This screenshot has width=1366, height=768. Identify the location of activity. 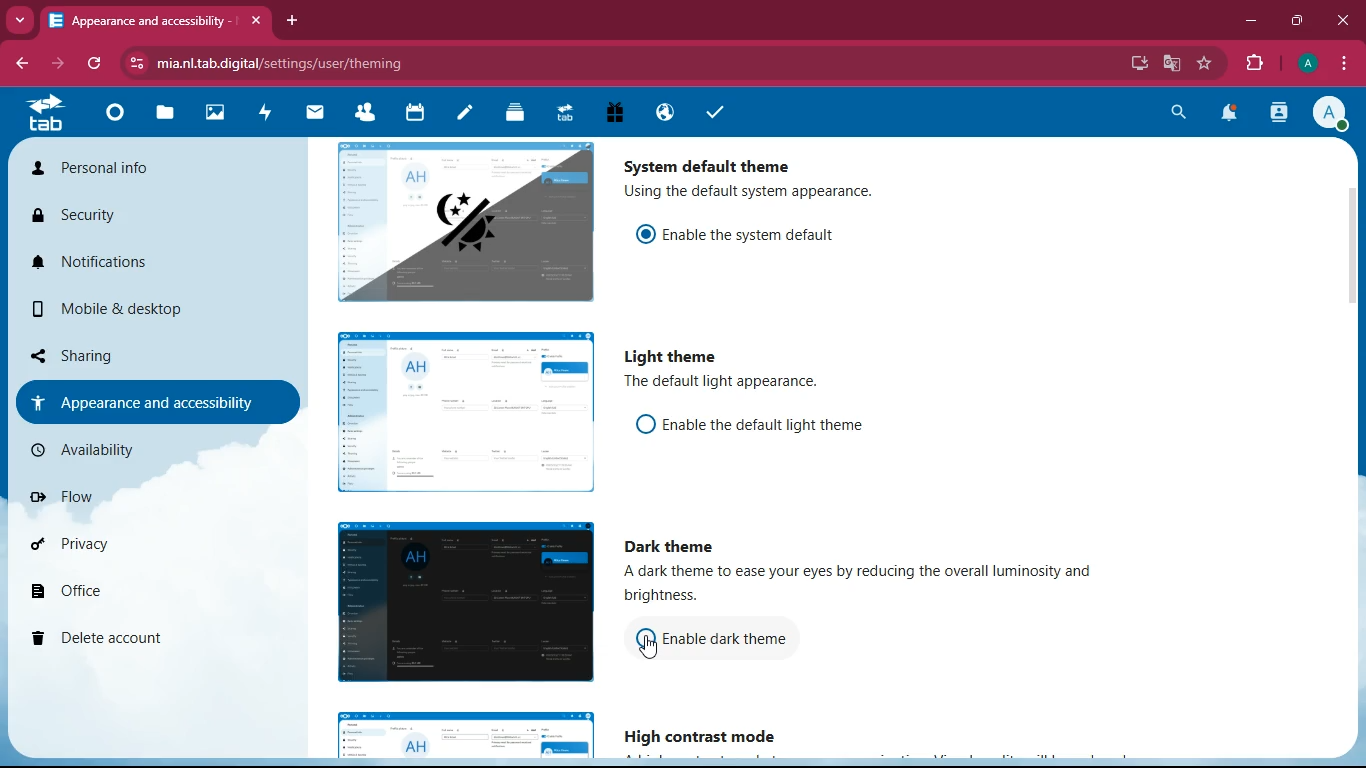
(1278, 114).